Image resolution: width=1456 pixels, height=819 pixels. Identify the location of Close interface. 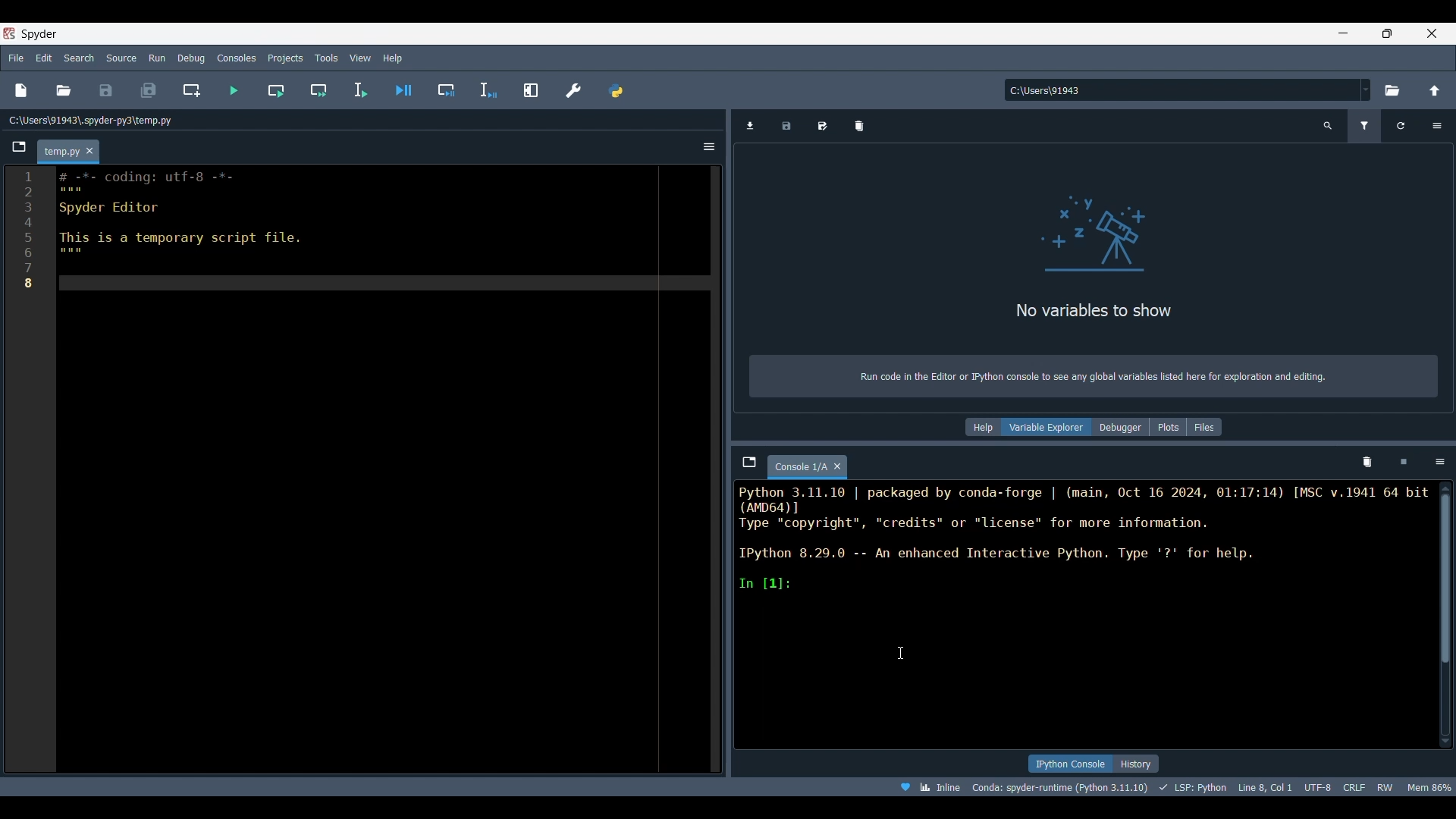
(1432, 33).